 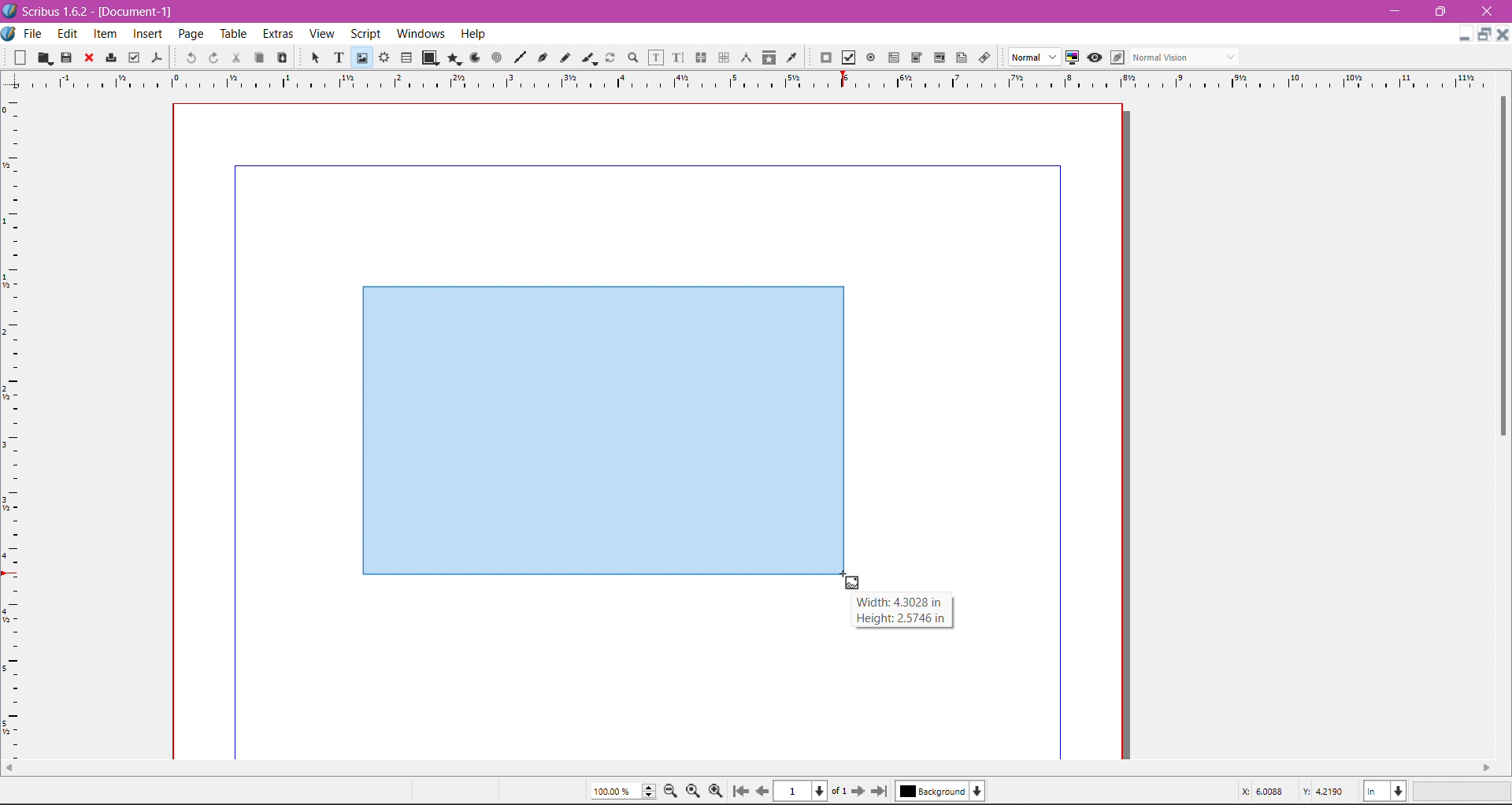 I want to click on Zoom and Pan, so click(x=632, y=58).